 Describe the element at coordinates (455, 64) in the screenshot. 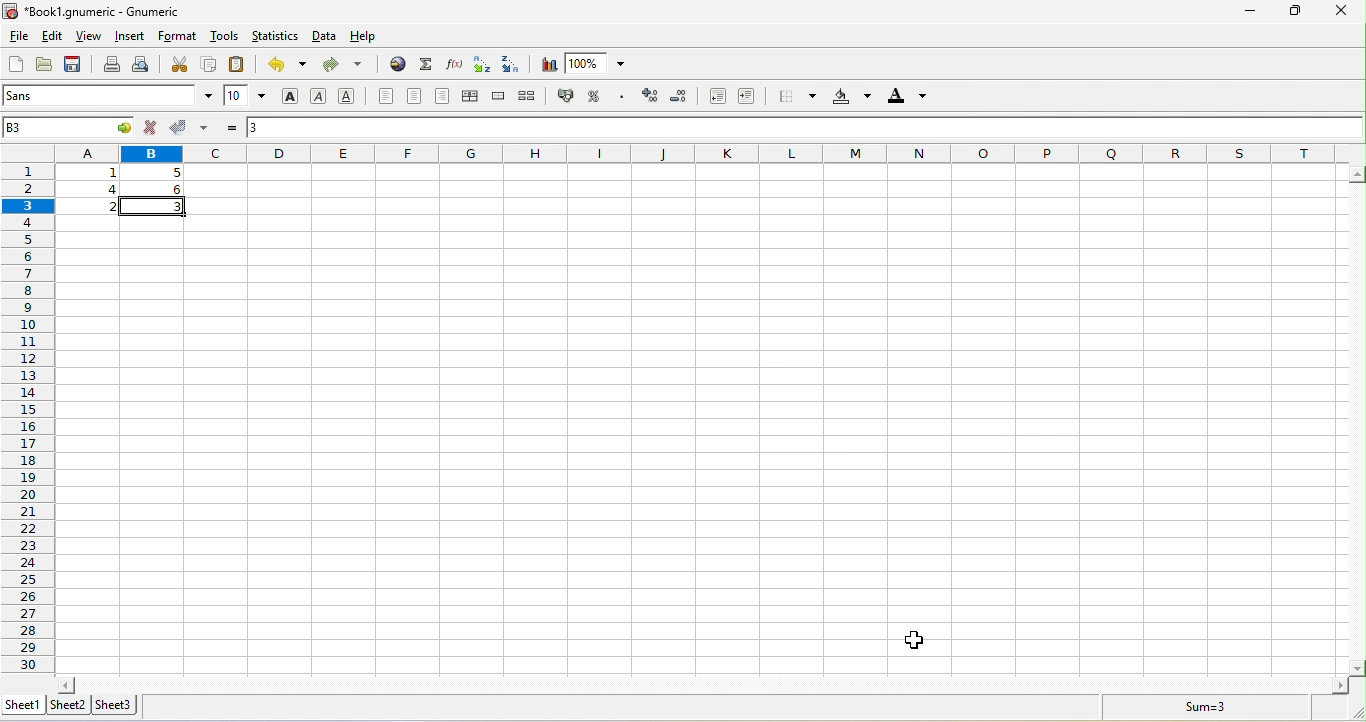

I see `edit the function` at that location.